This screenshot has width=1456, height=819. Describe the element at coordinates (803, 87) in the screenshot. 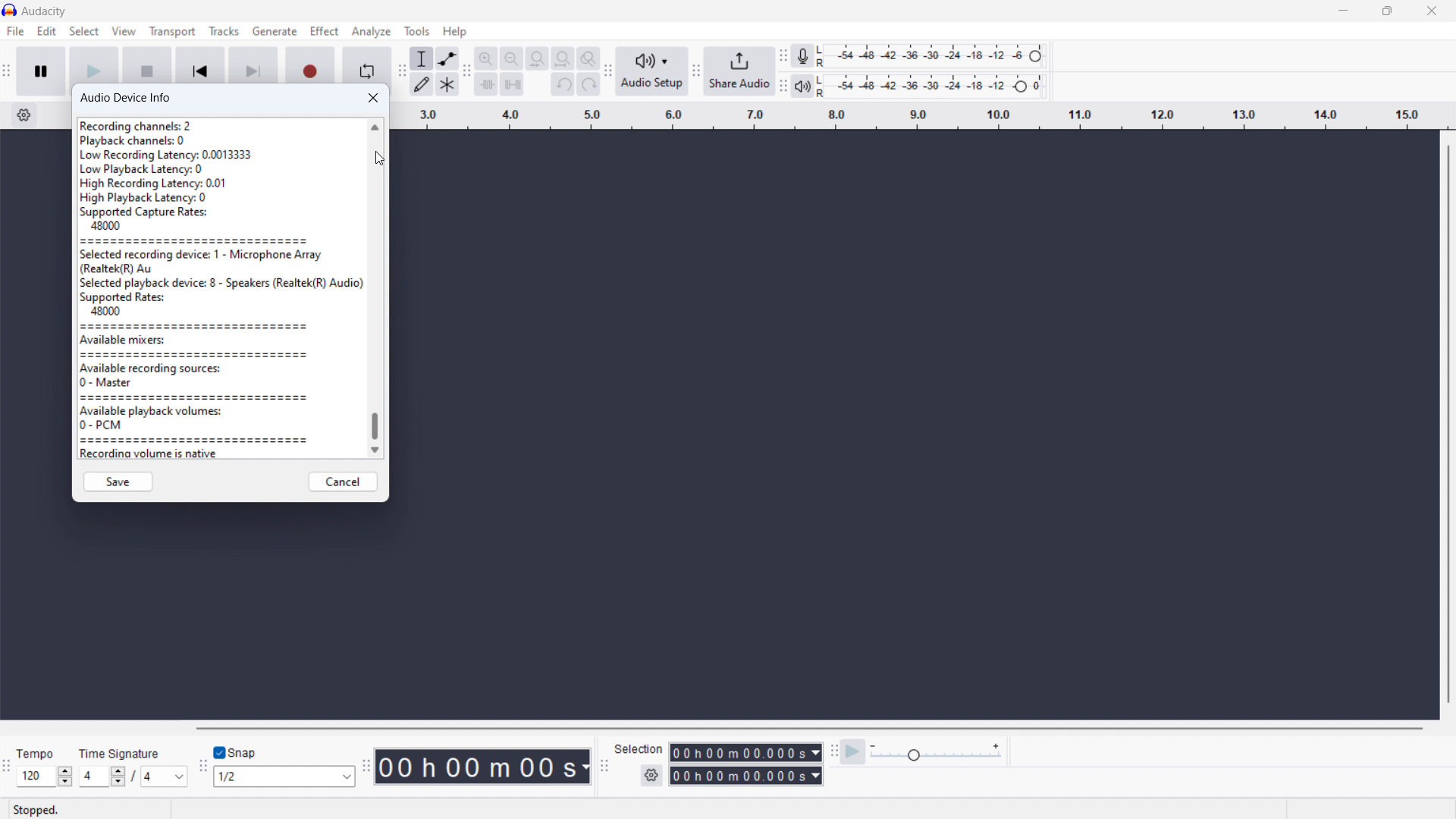

I see `playback meter` at that location.